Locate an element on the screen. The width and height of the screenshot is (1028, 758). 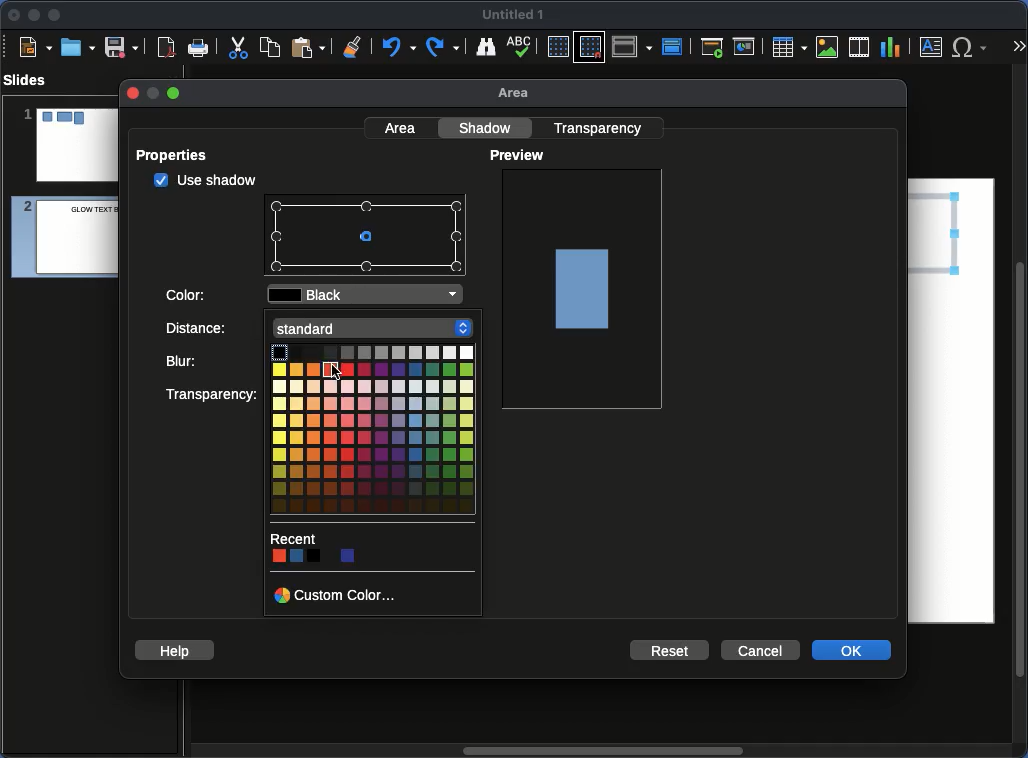
Undo is located at coordinates (397, 47).